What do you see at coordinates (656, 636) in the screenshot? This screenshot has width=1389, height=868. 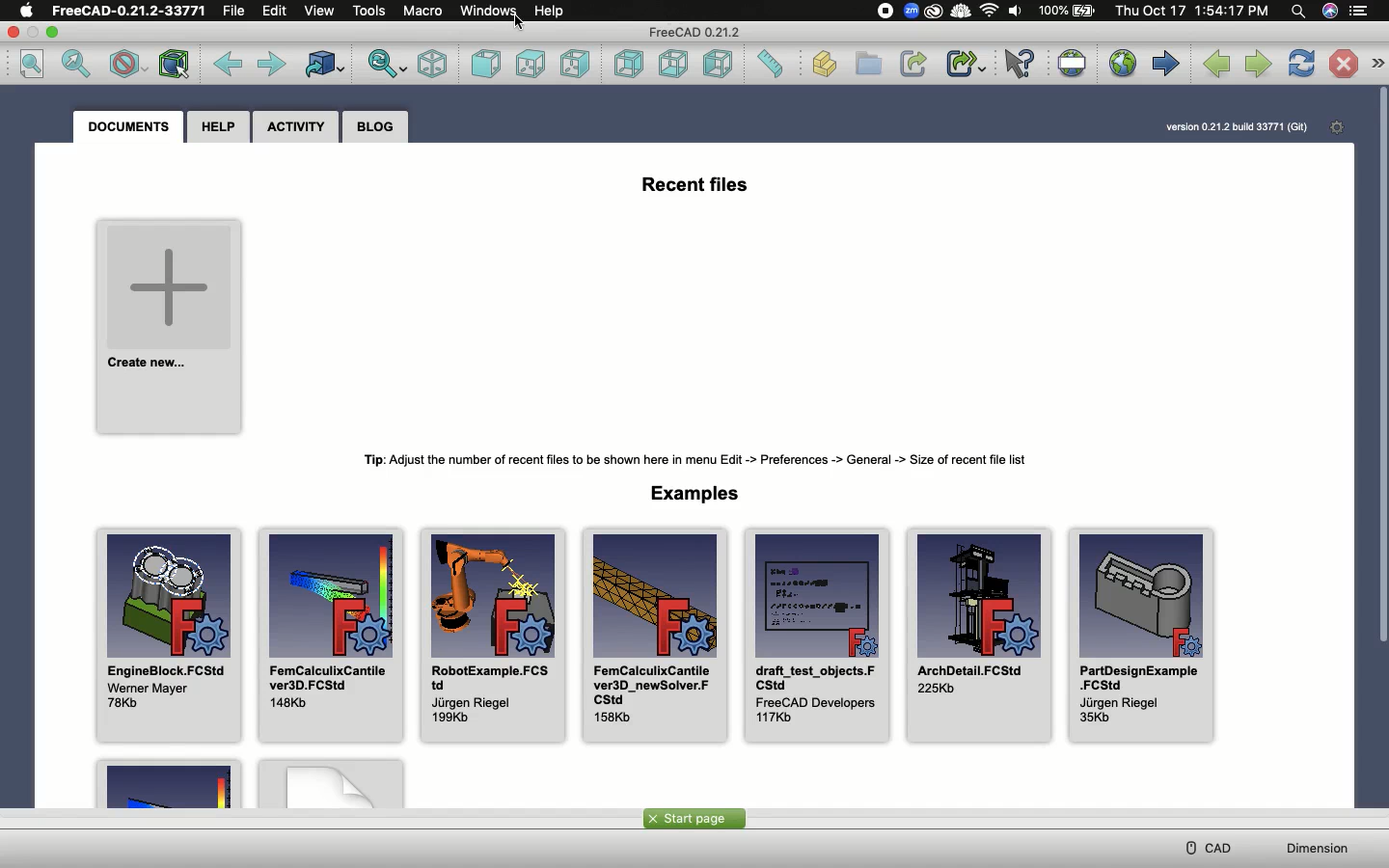 I see `FemCalculixCantilever3D_newSolver.FCStd` at bounding box center [656, 636].